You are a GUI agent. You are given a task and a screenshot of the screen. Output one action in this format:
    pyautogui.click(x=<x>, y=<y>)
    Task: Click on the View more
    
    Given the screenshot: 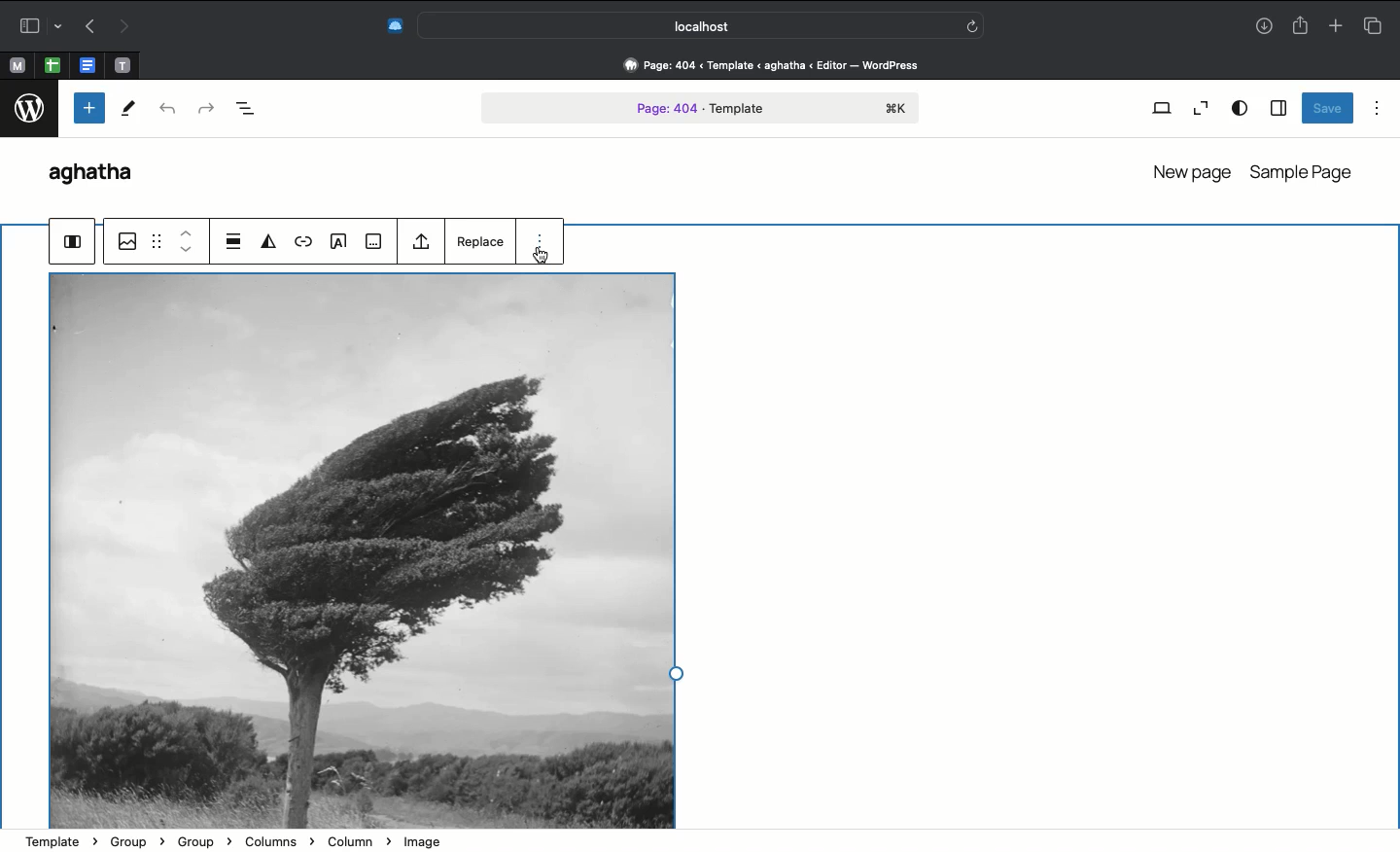 What is the action you would take?
    pyautogui.click(x=375, y=242)
    